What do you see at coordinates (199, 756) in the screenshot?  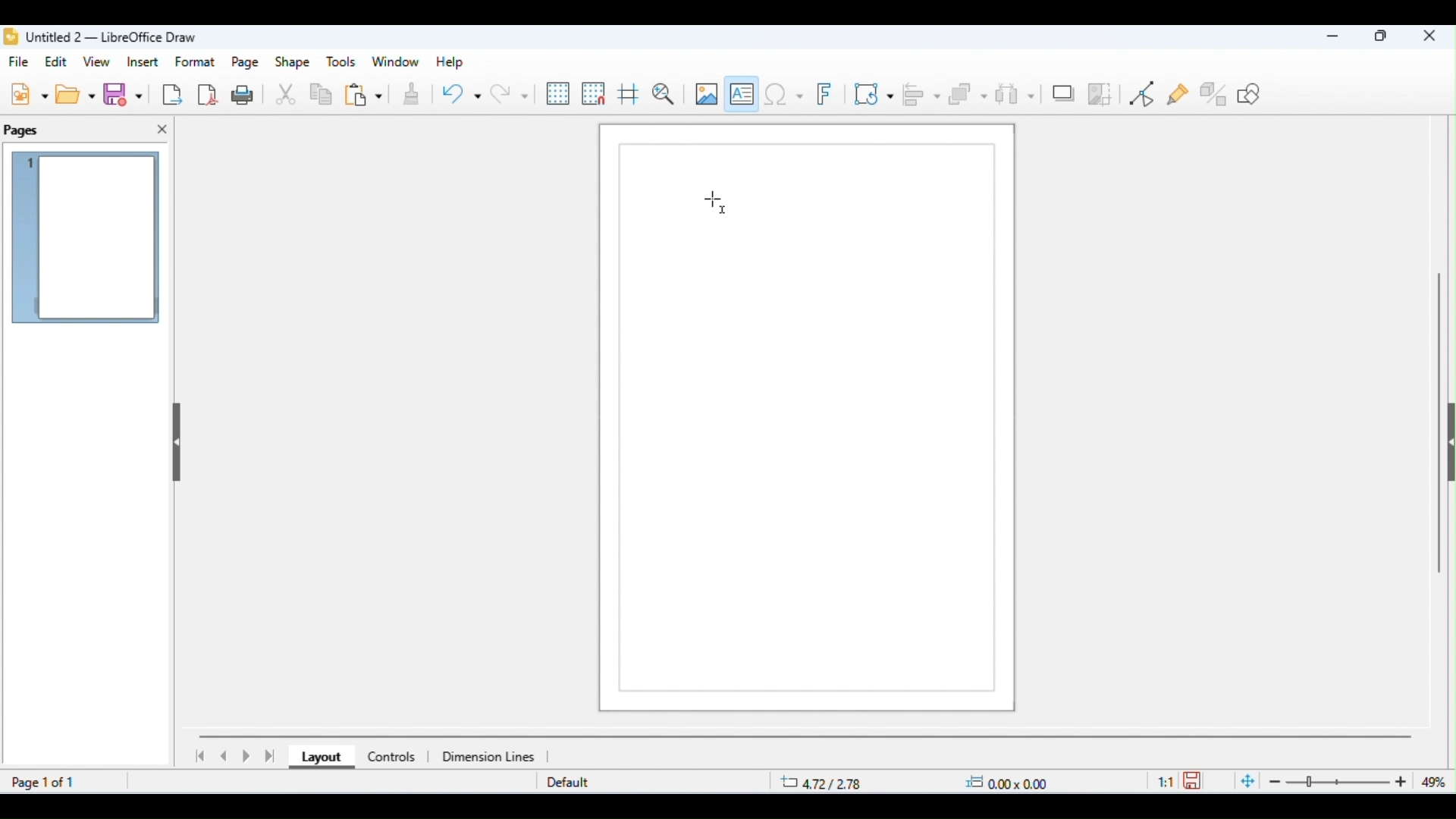 I see `first page` at bounding box center [199, 756].